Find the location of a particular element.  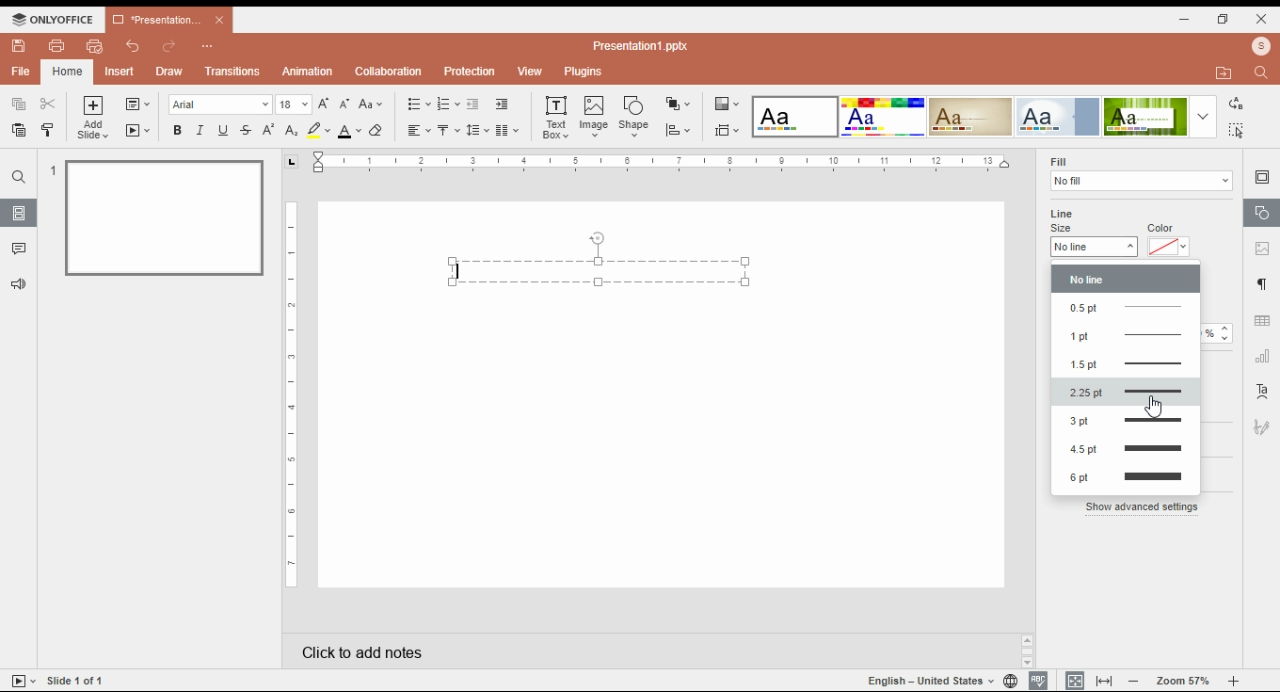

line size is located at coordinates (1094, 247).